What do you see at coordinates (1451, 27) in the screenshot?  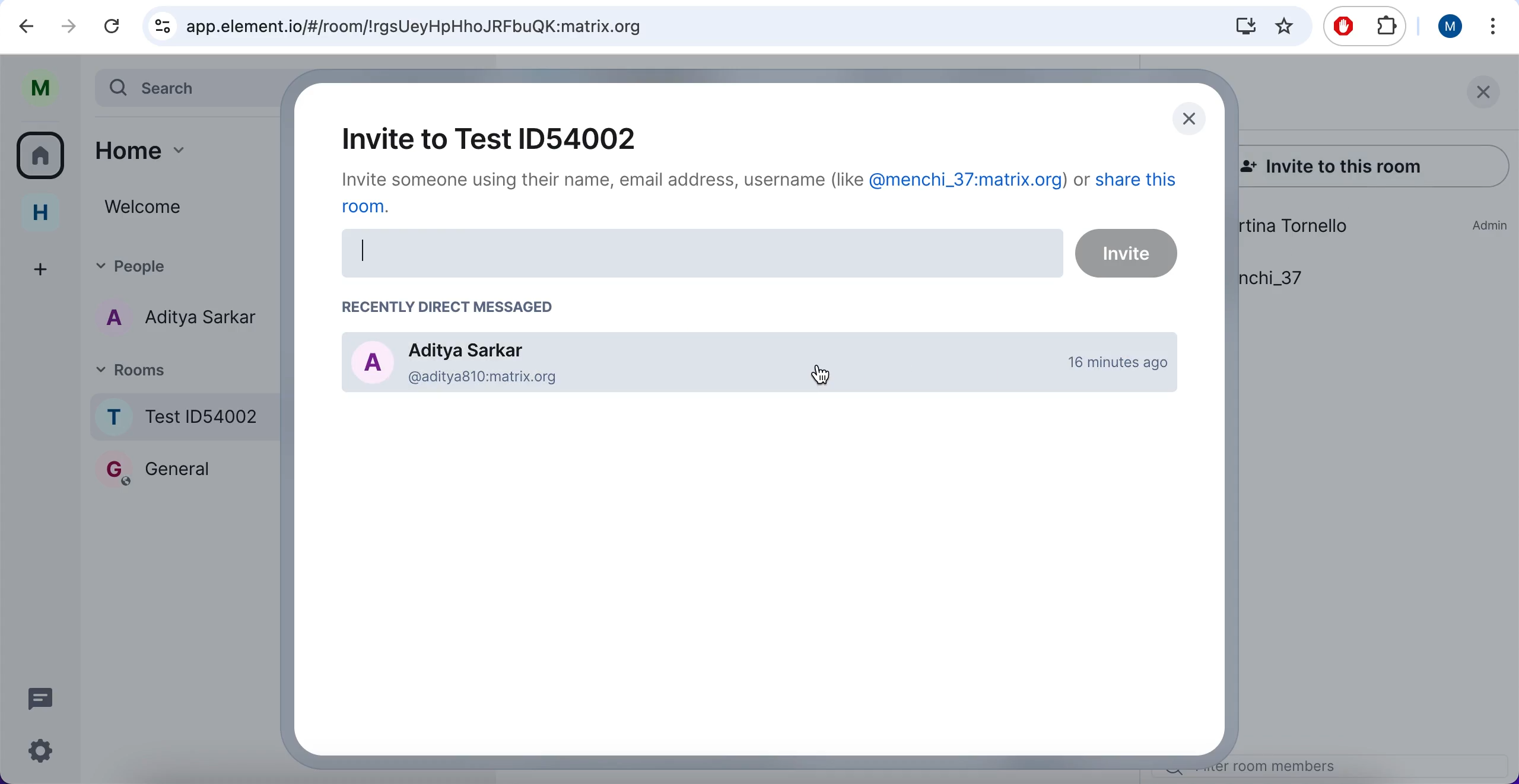 I see `user` at bounding box center [1451, 27].